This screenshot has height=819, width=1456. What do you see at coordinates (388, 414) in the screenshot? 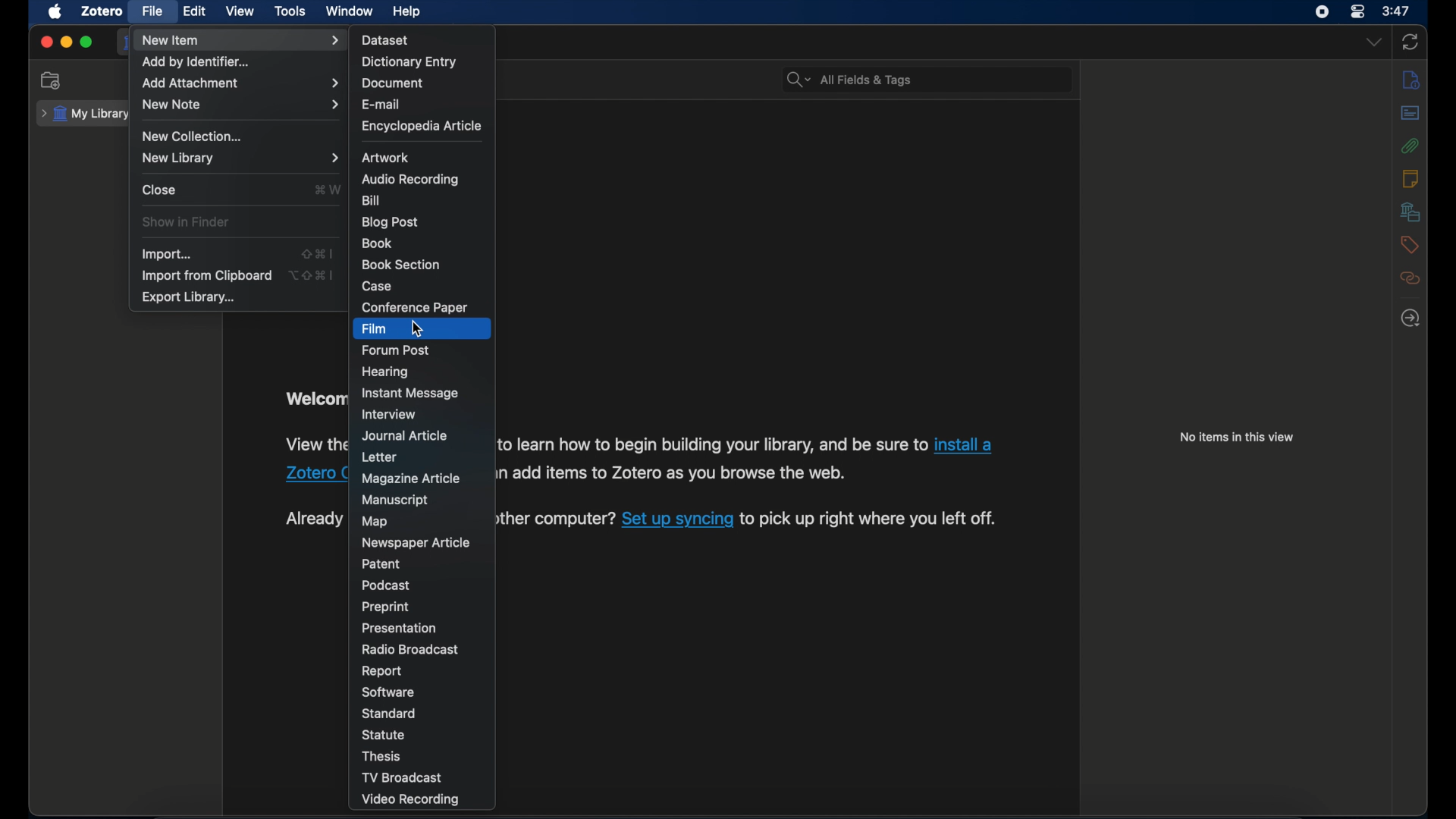
I see `interview` at bounding box center [388, 414].